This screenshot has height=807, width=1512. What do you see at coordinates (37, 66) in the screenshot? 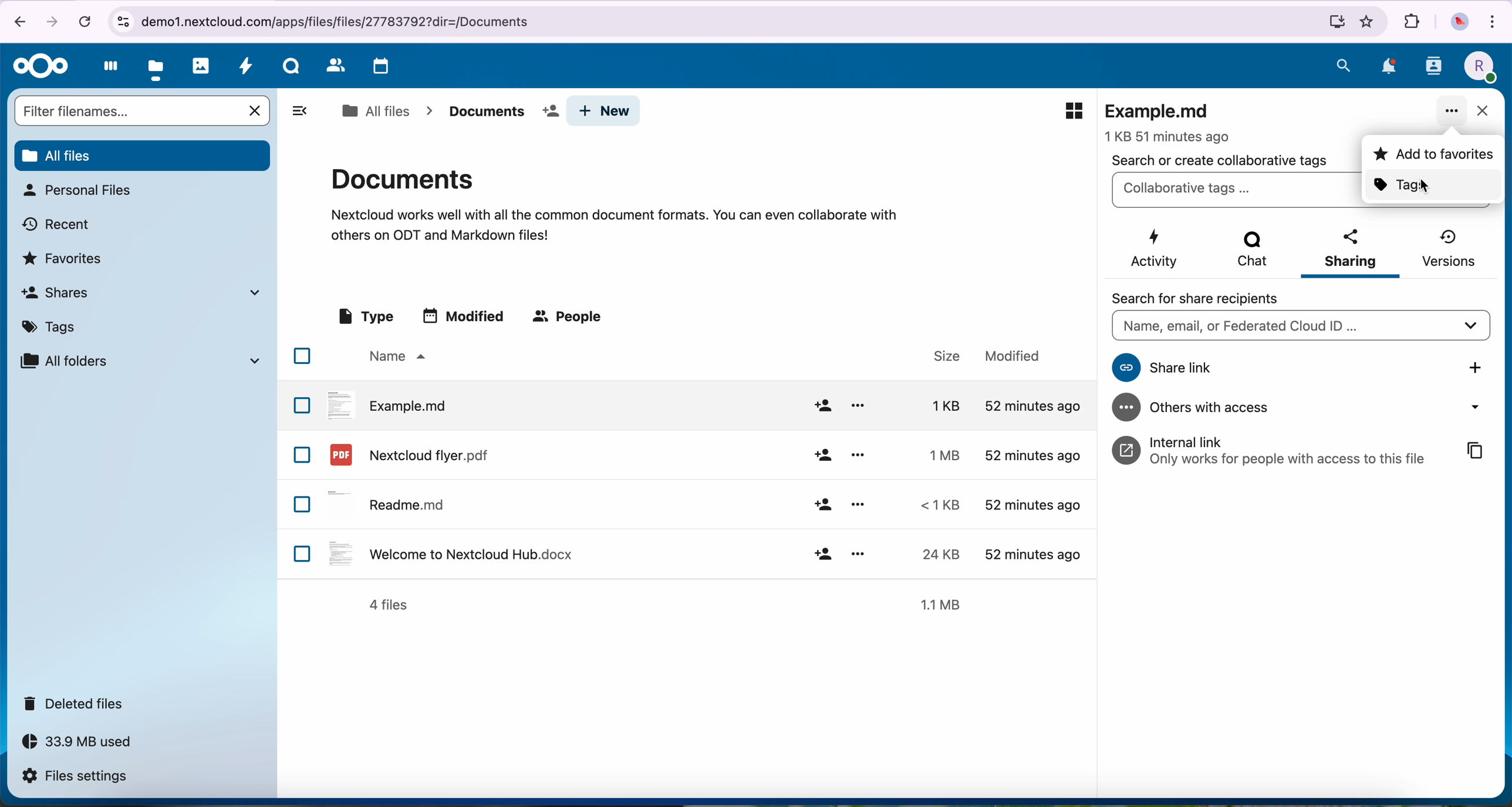
I see `Nextcloud logo` at bounding box center [37, 66].